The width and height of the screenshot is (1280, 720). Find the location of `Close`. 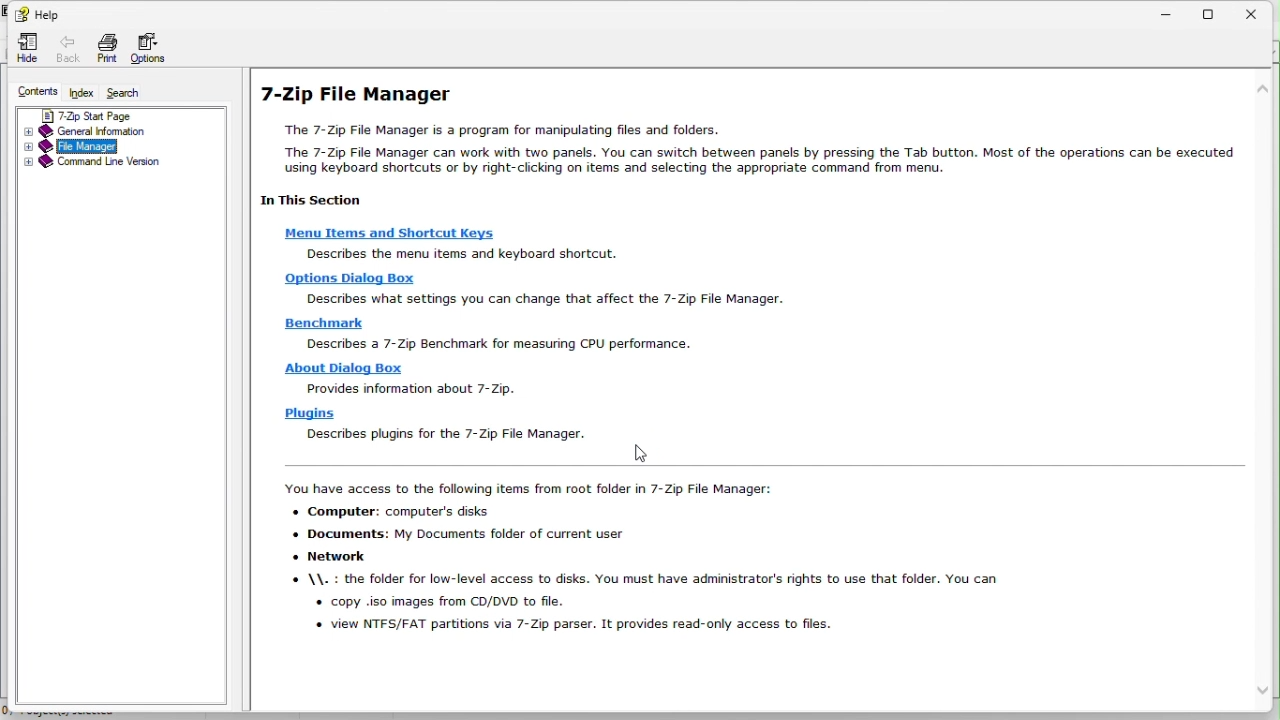

Close is located at coordinates (1260, 13).